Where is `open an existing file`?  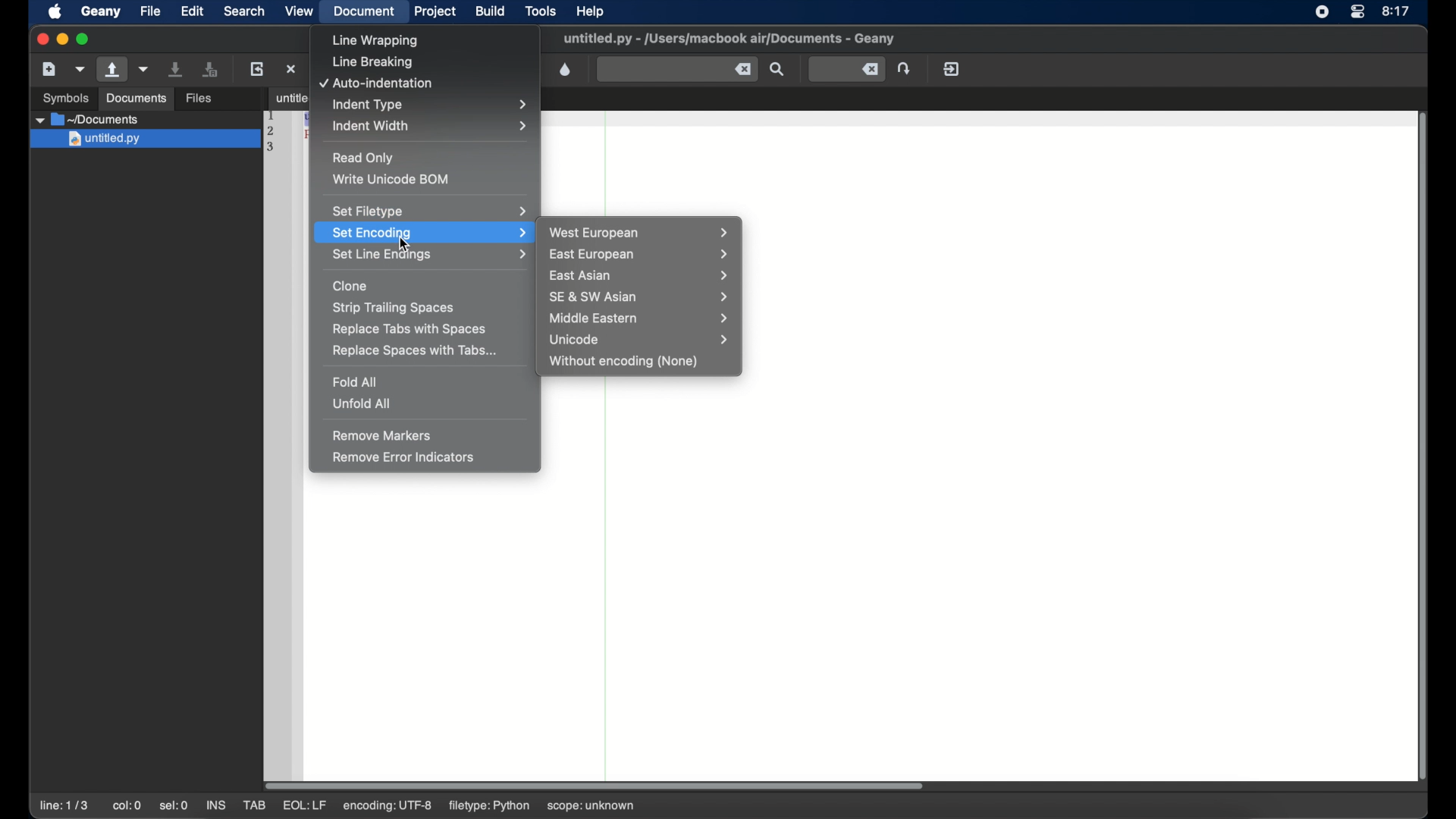 open an existing file is located at coordinates (112, 70).